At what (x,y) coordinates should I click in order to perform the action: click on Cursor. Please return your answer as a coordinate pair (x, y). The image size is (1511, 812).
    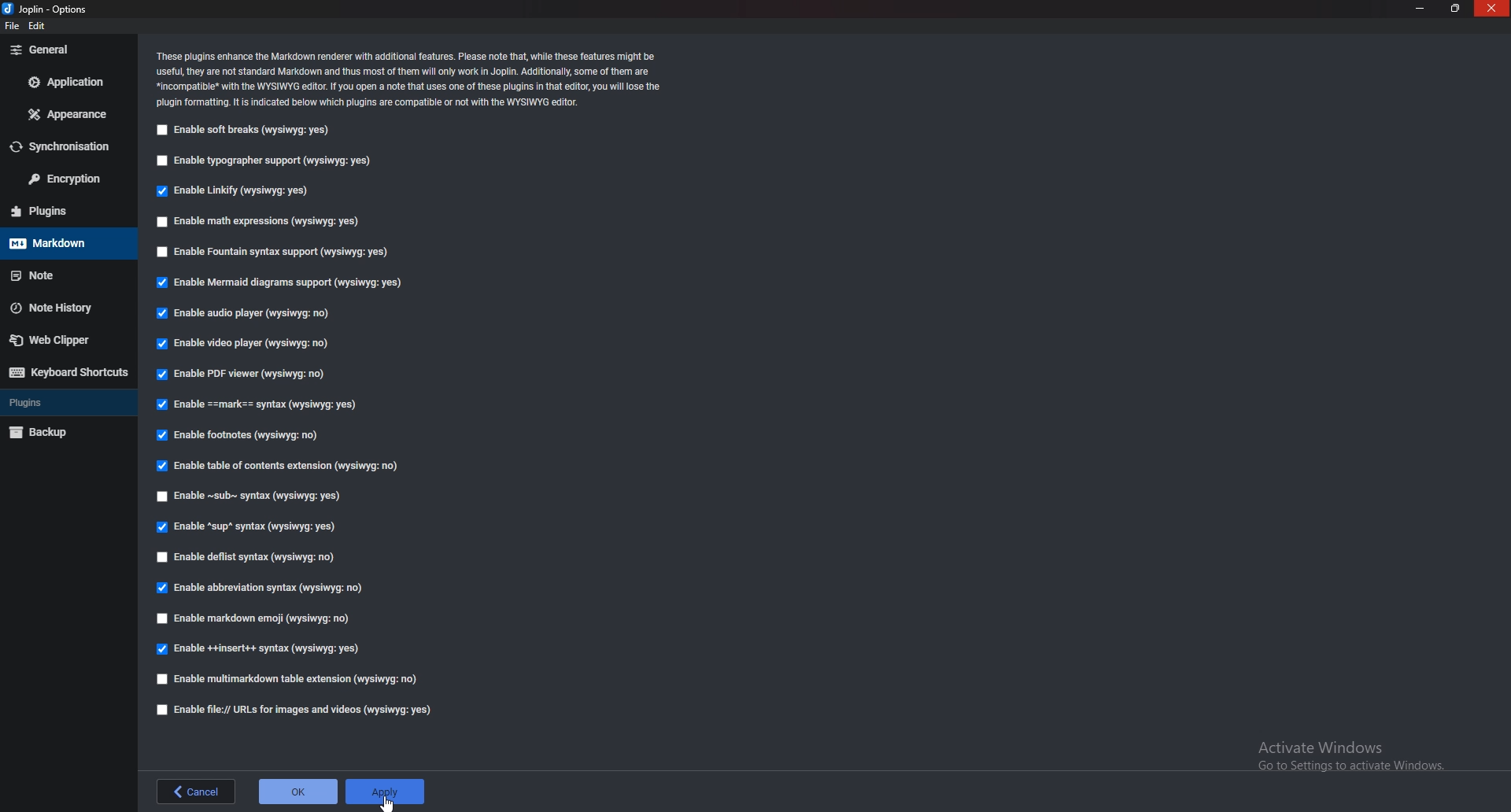
    Looking at the image, I should click on (390, 803).